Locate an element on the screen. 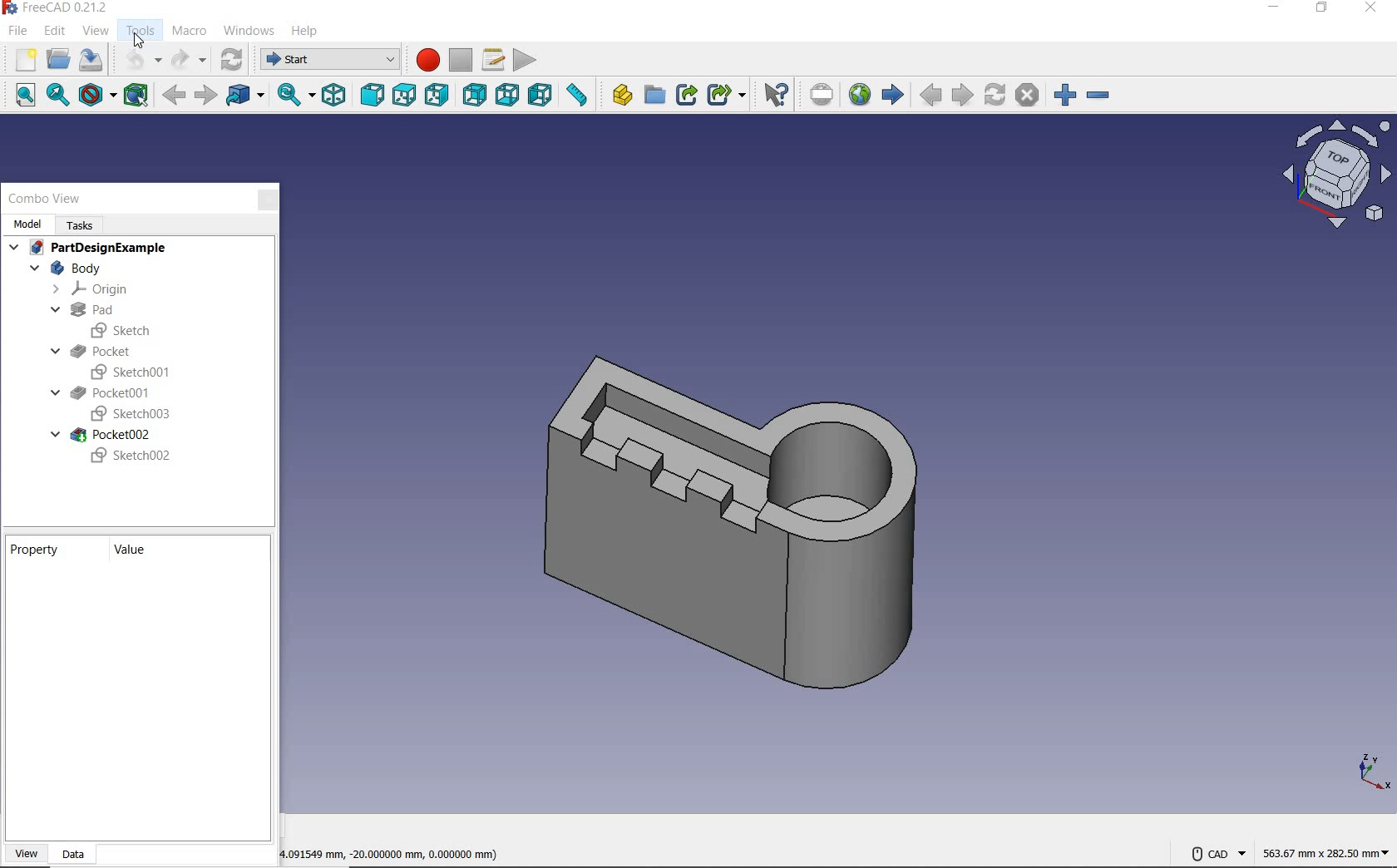 This screenshot has height=868, width=1397. Cursor is located at coordinates (139, 37).